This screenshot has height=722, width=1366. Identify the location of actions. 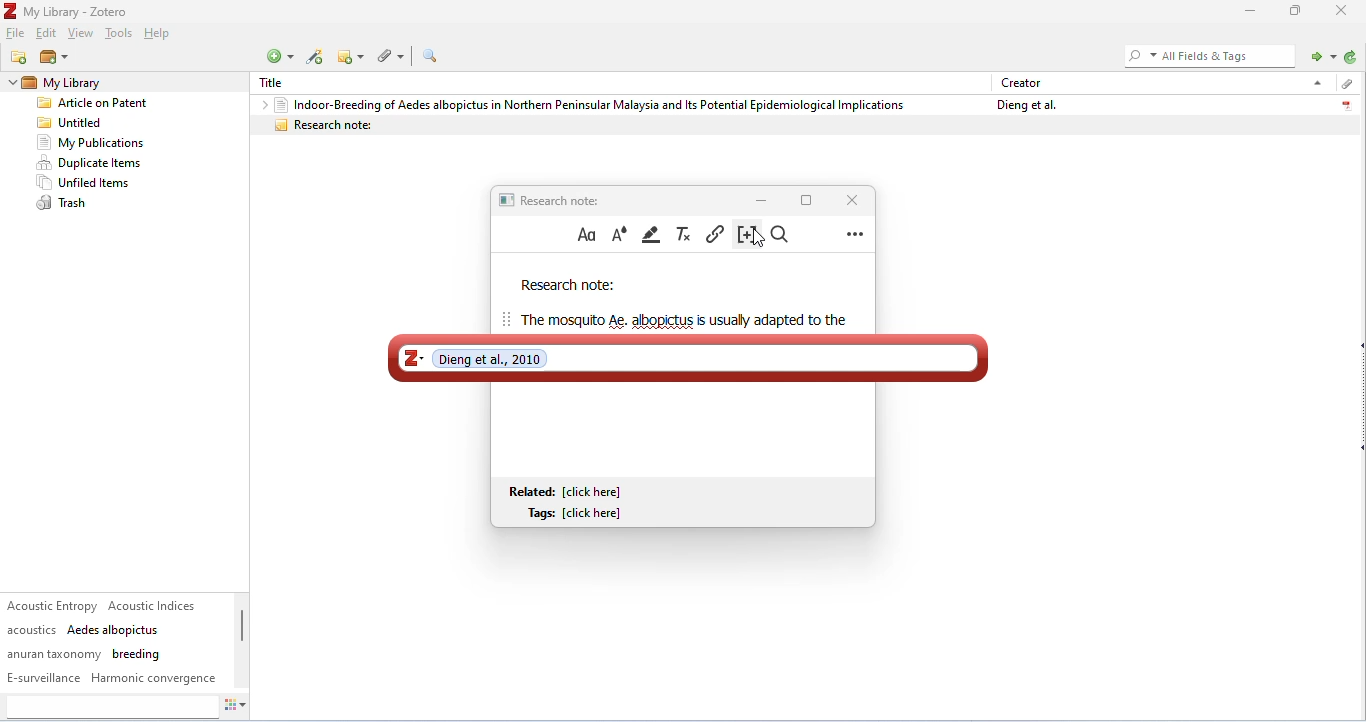
(236, 708).